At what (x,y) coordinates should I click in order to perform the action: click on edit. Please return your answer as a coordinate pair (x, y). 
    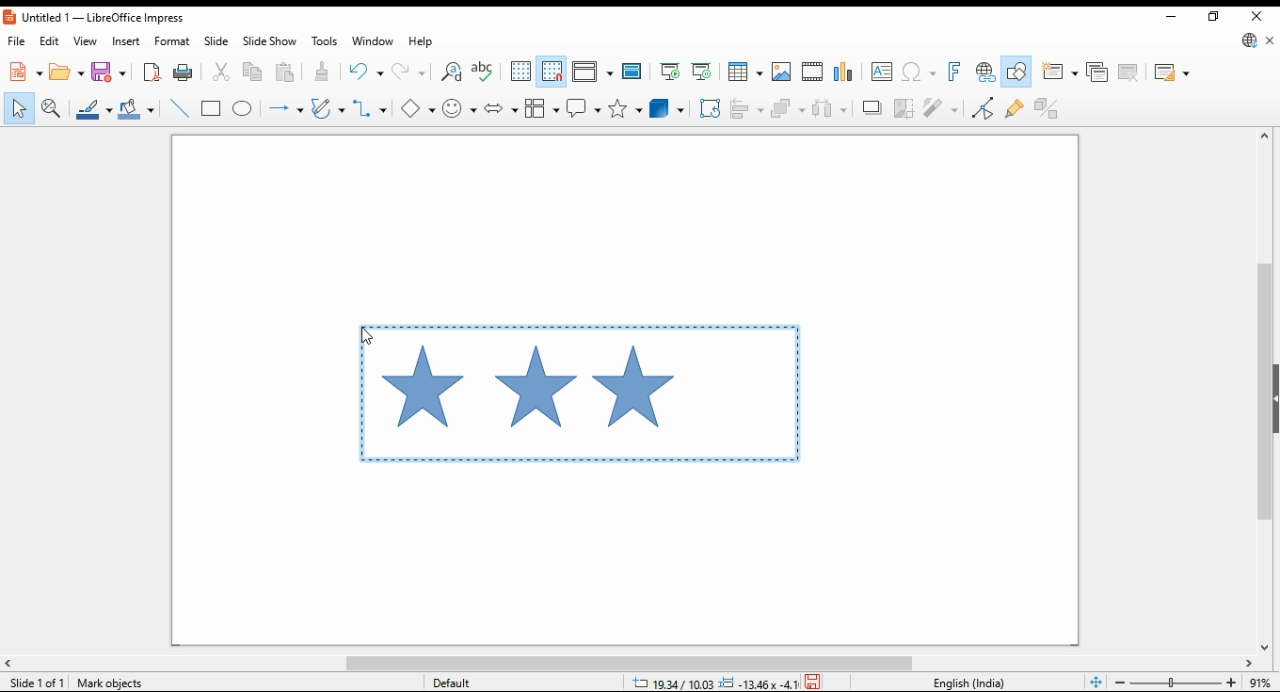
    Looking at the image, I should click on (48, 40).